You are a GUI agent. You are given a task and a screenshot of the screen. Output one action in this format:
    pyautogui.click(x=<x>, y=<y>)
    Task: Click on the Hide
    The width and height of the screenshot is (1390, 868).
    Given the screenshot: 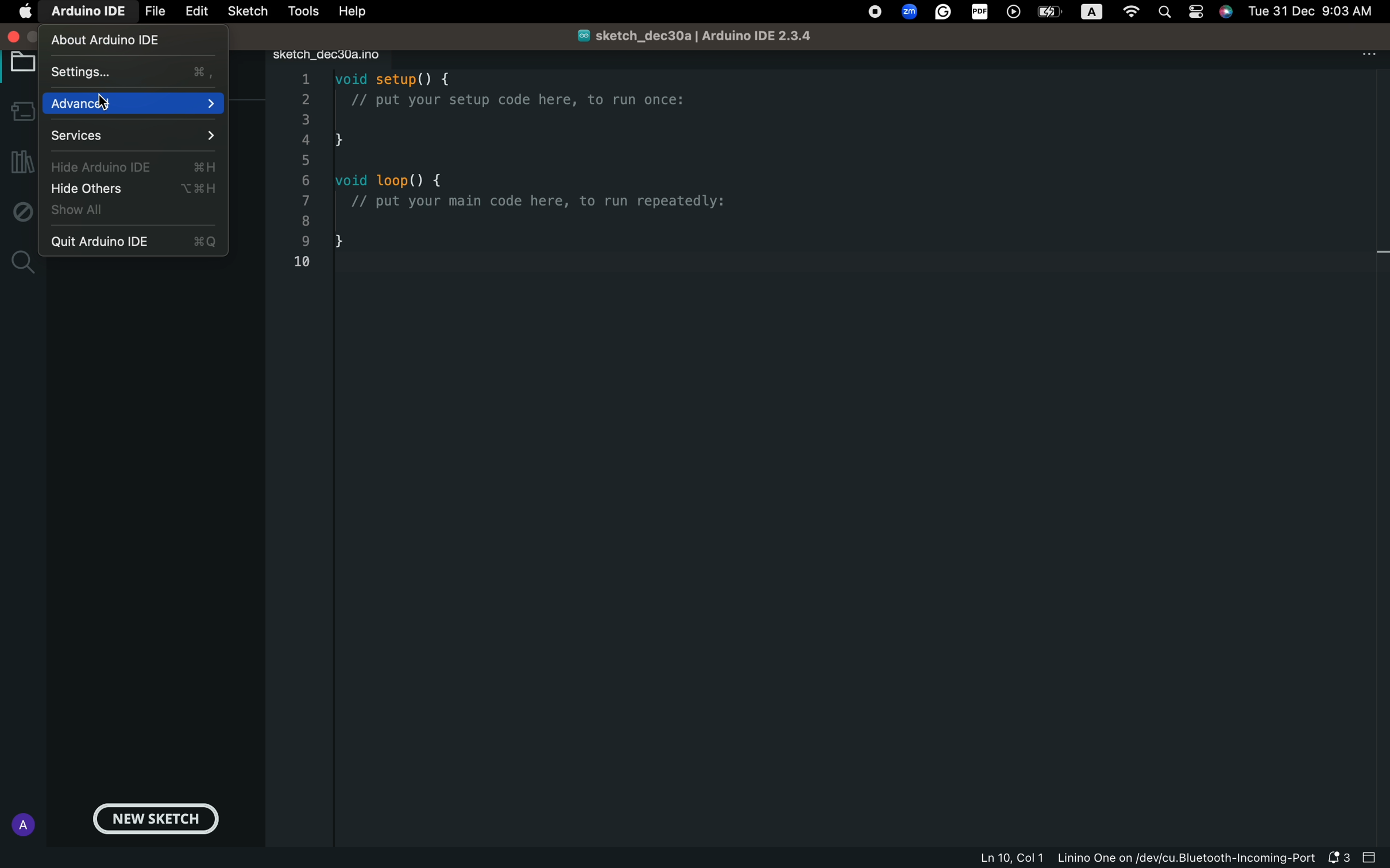 What is the action you would take?
    pyautogui.click(x=137, y=189)
    